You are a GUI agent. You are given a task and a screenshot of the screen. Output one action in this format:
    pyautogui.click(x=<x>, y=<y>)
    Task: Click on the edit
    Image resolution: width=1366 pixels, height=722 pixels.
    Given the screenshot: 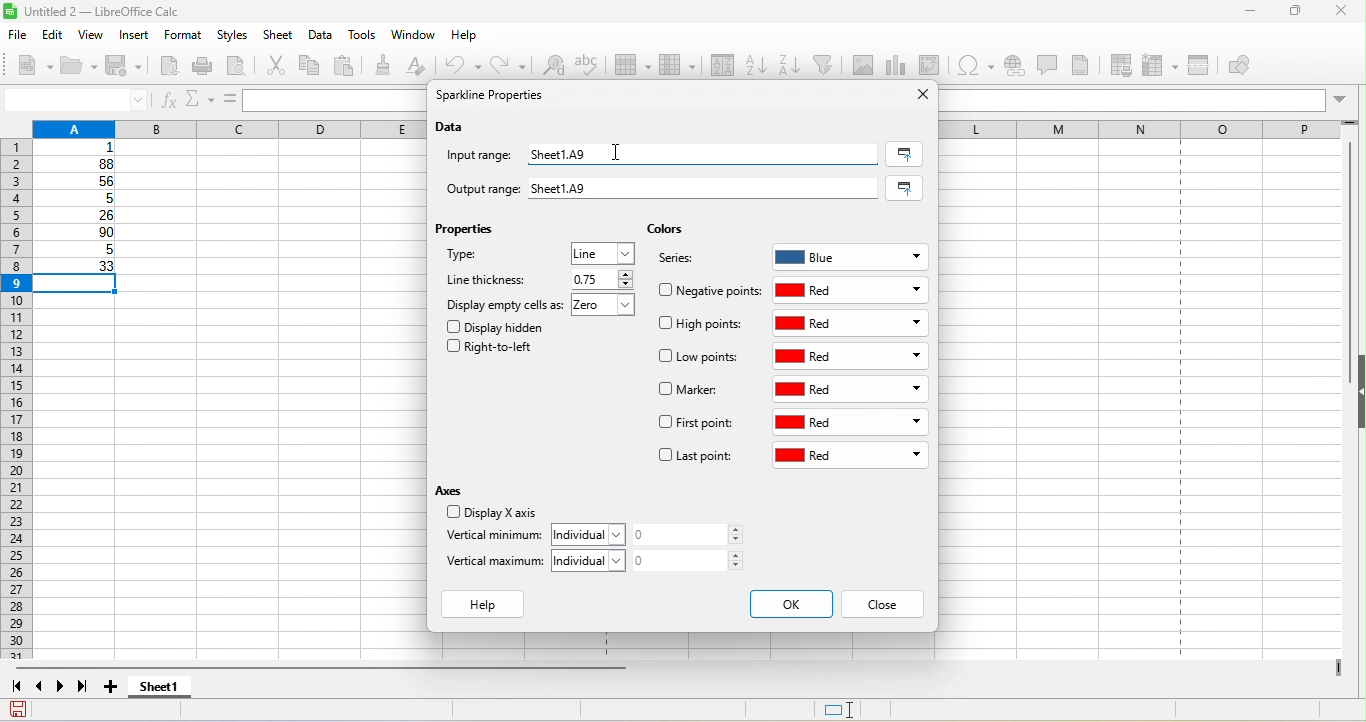 What is the action you would take?
    pyautogui.click(x=55, y=34)
    